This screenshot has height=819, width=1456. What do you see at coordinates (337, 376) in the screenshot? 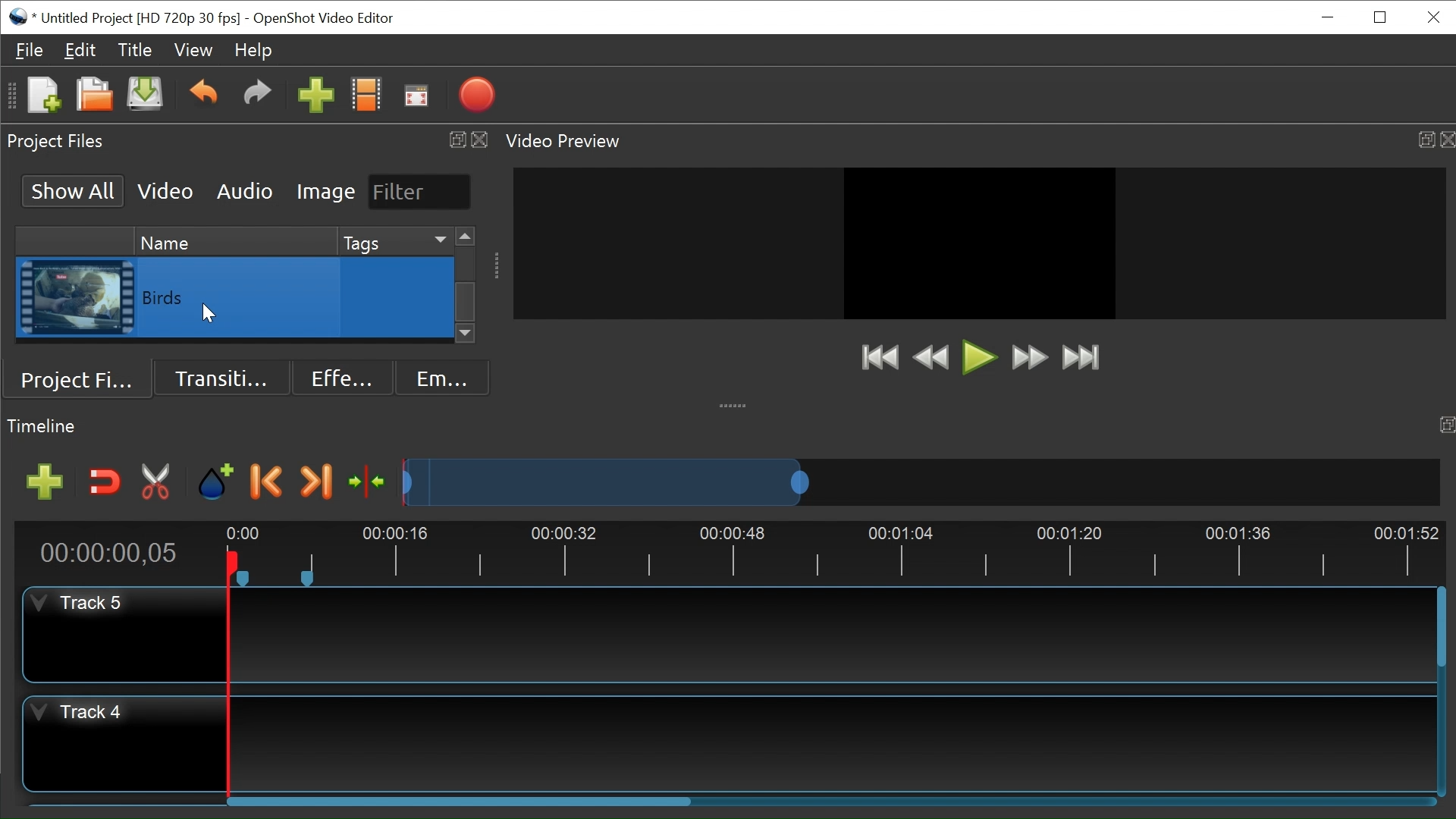
I see `Effects` at bounding box center [337, 376].